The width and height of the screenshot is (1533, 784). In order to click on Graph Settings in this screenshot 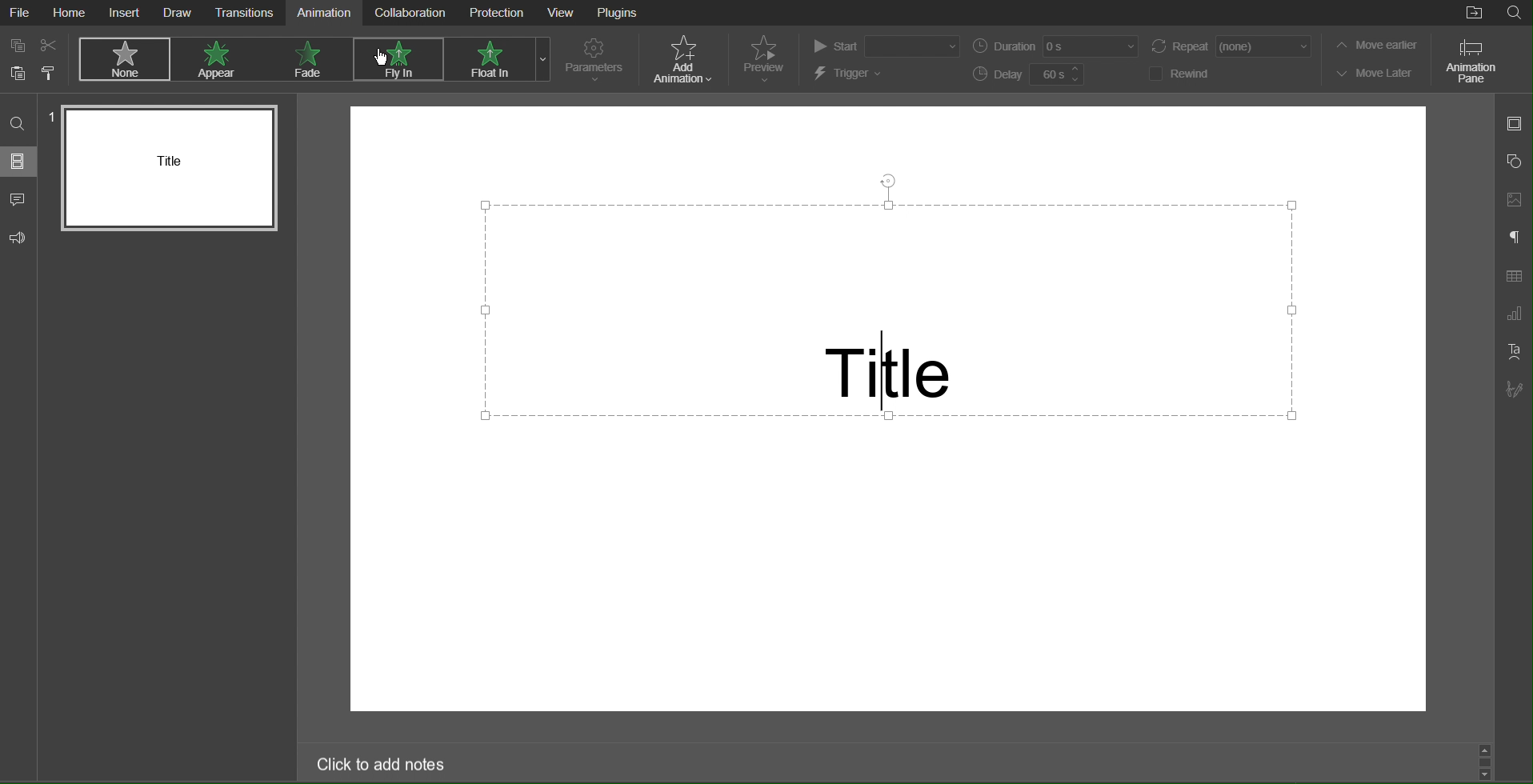, I will do `click(1515, 314)`.